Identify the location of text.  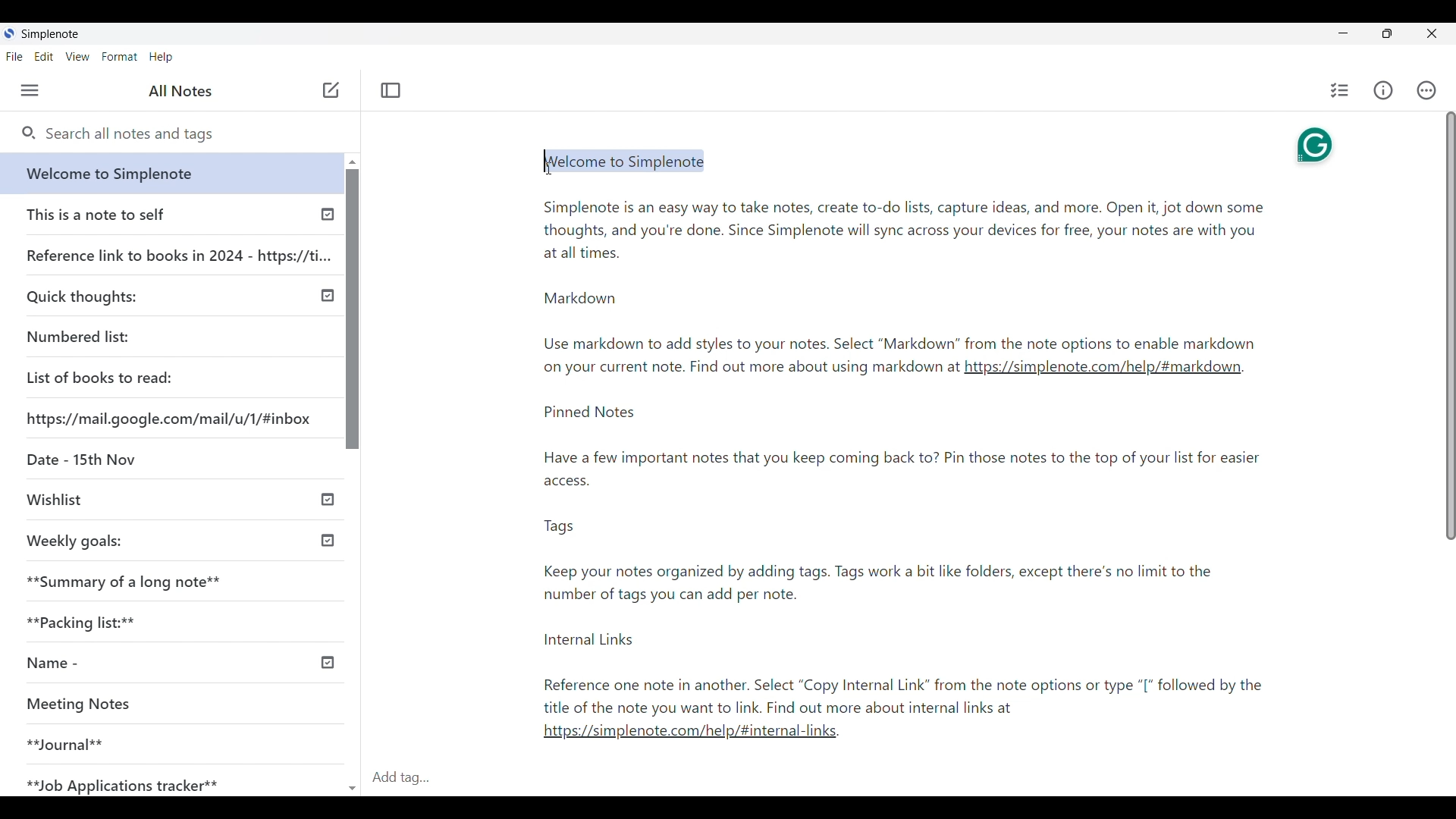
(918, 563).